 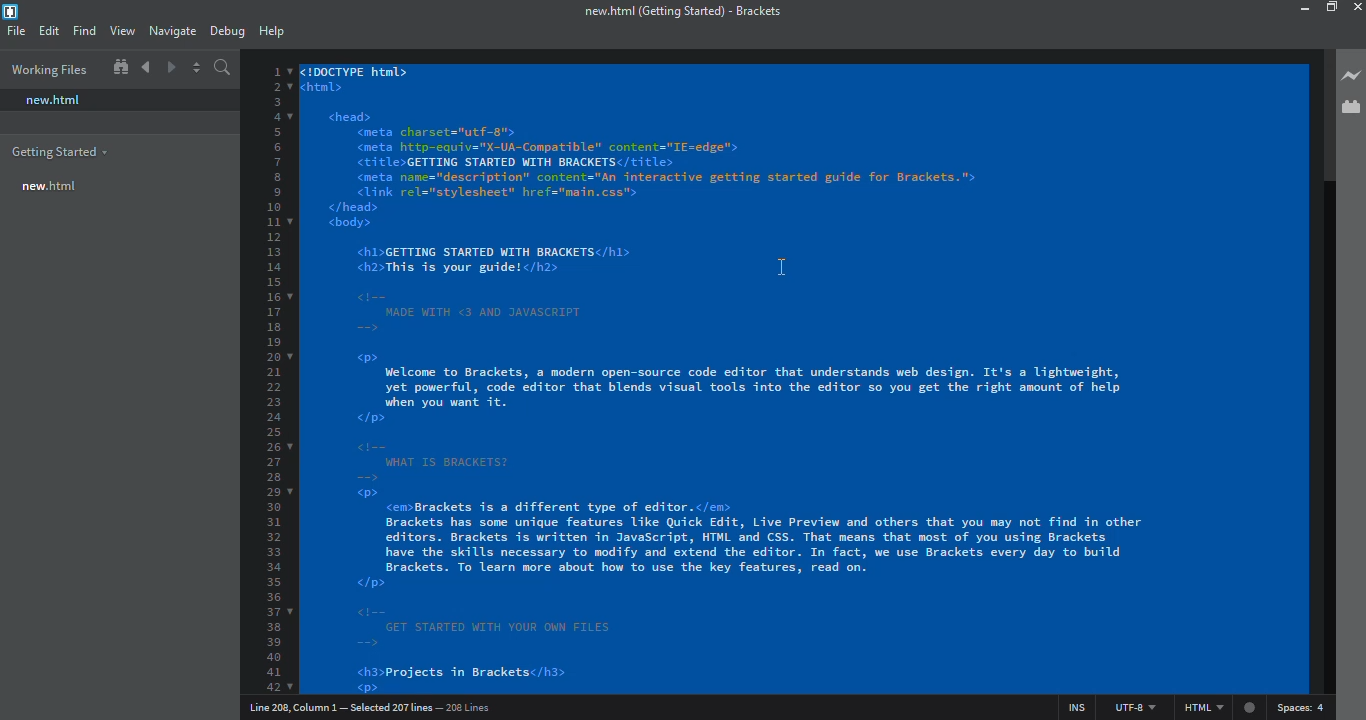 What do you see at coordinates (275, 28) in the screenshot?
I see `help` at bounding box center [275, 28].